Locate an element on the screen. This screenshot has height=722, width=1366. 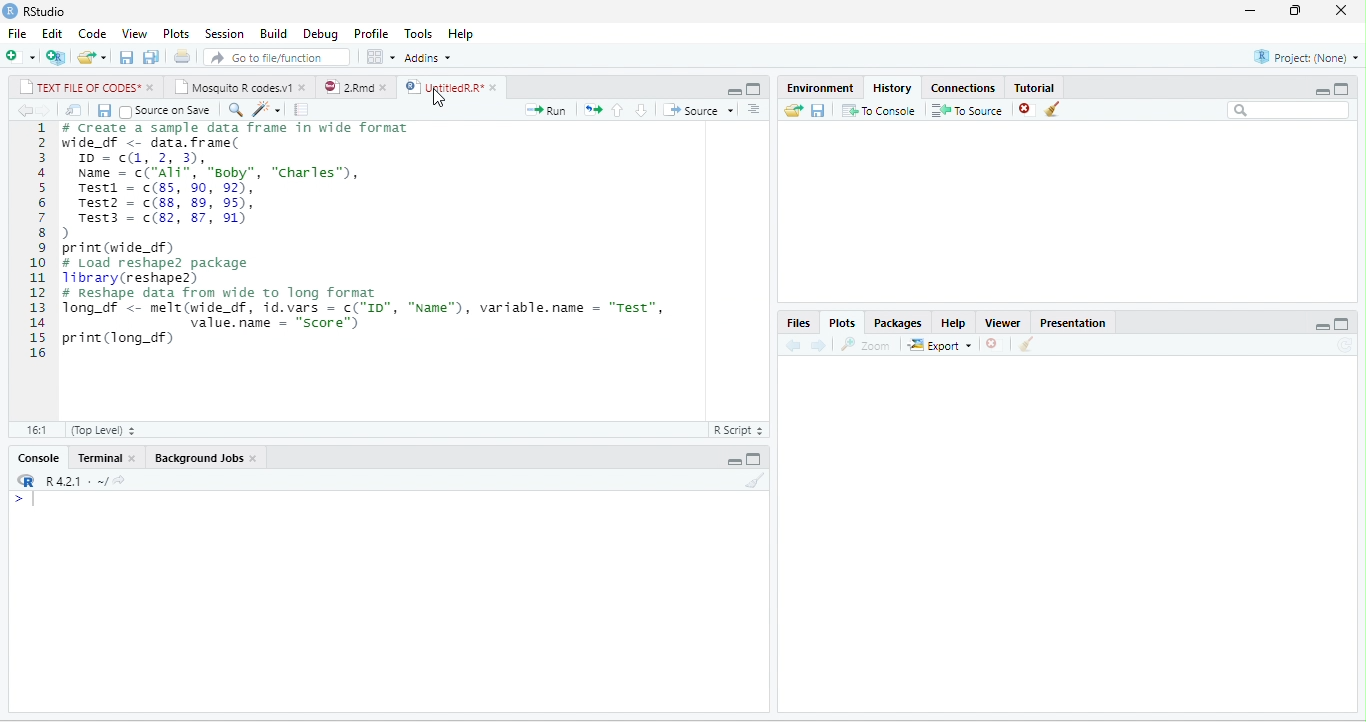
Edit is located at coordinates (52, 33).